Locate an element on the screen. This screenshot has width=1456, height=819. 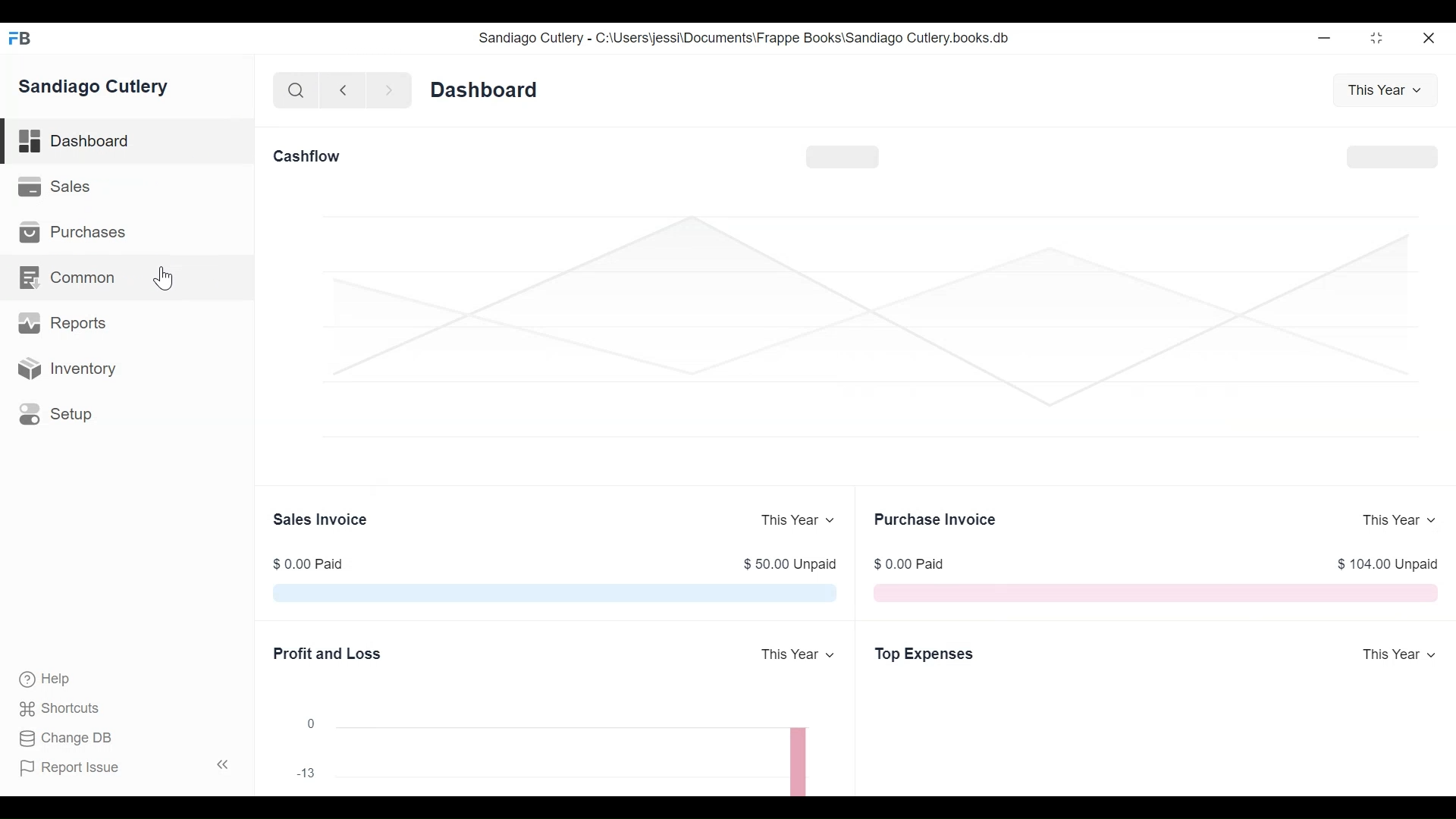
Reports is located at coordinates (61, 323).